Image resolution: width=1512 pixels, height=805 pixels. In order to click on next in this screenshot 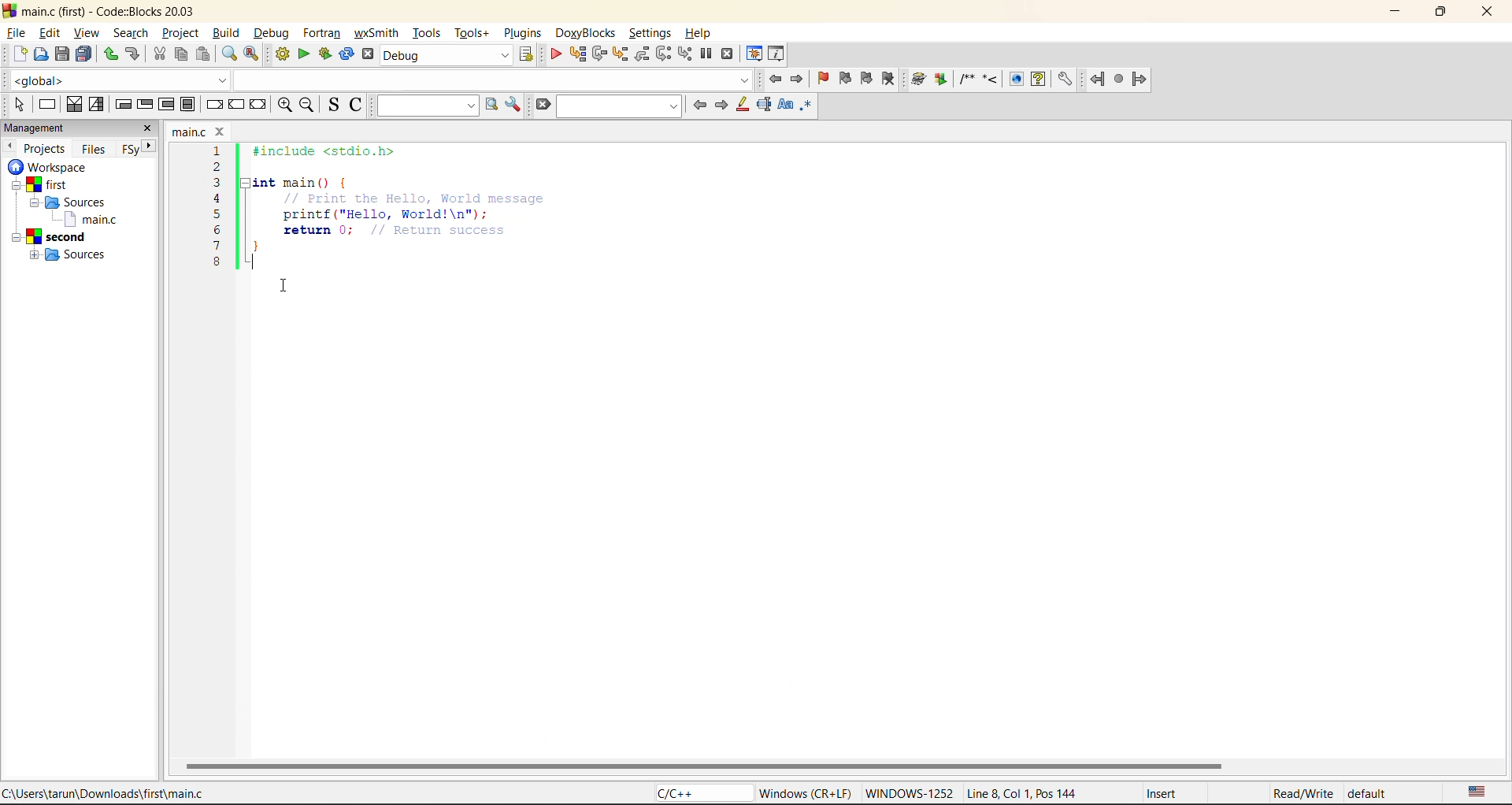, I will do `click(151, 147)`.